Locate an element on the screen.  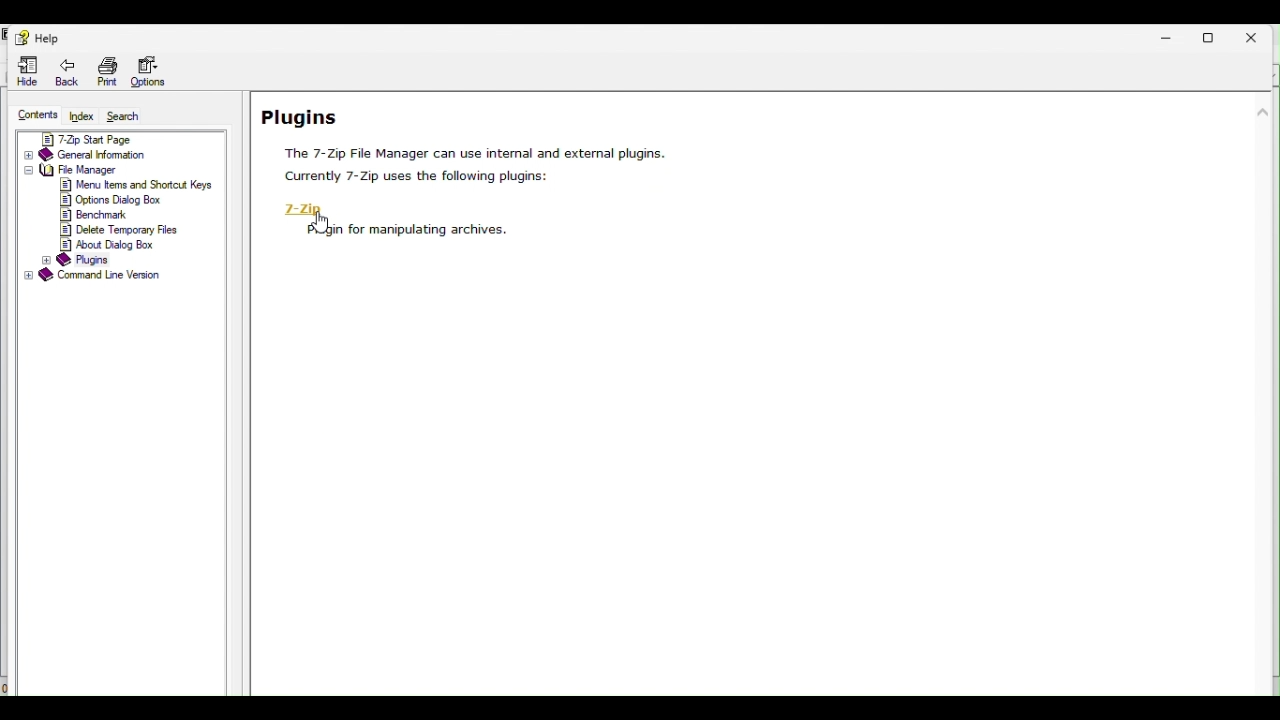
delete is located at coordinates (117, 229).